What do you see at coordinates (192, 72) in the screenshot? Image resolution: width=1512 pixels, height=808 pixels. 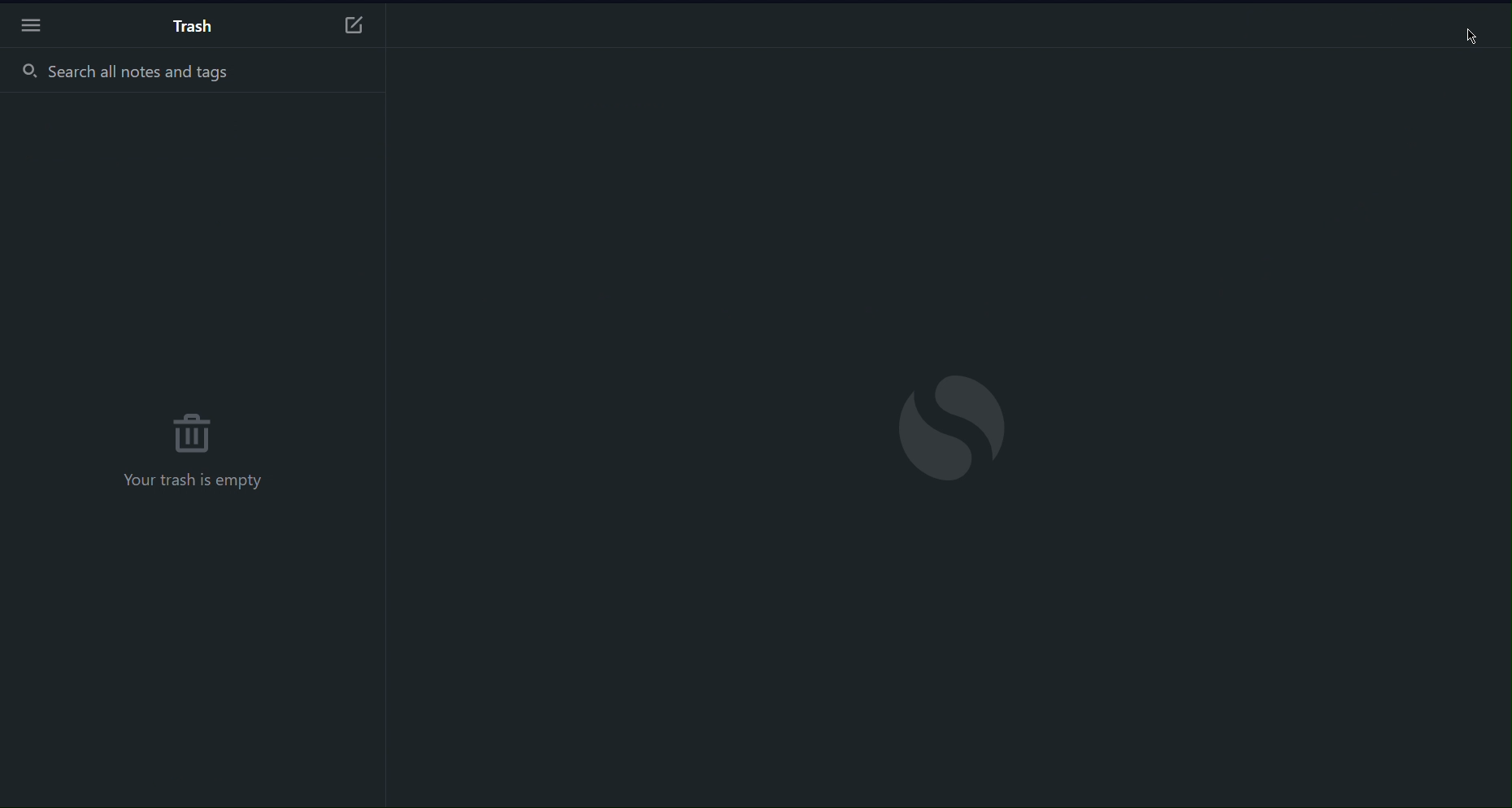 I see `Search all notes and tags` at bounding box center [192, 72].